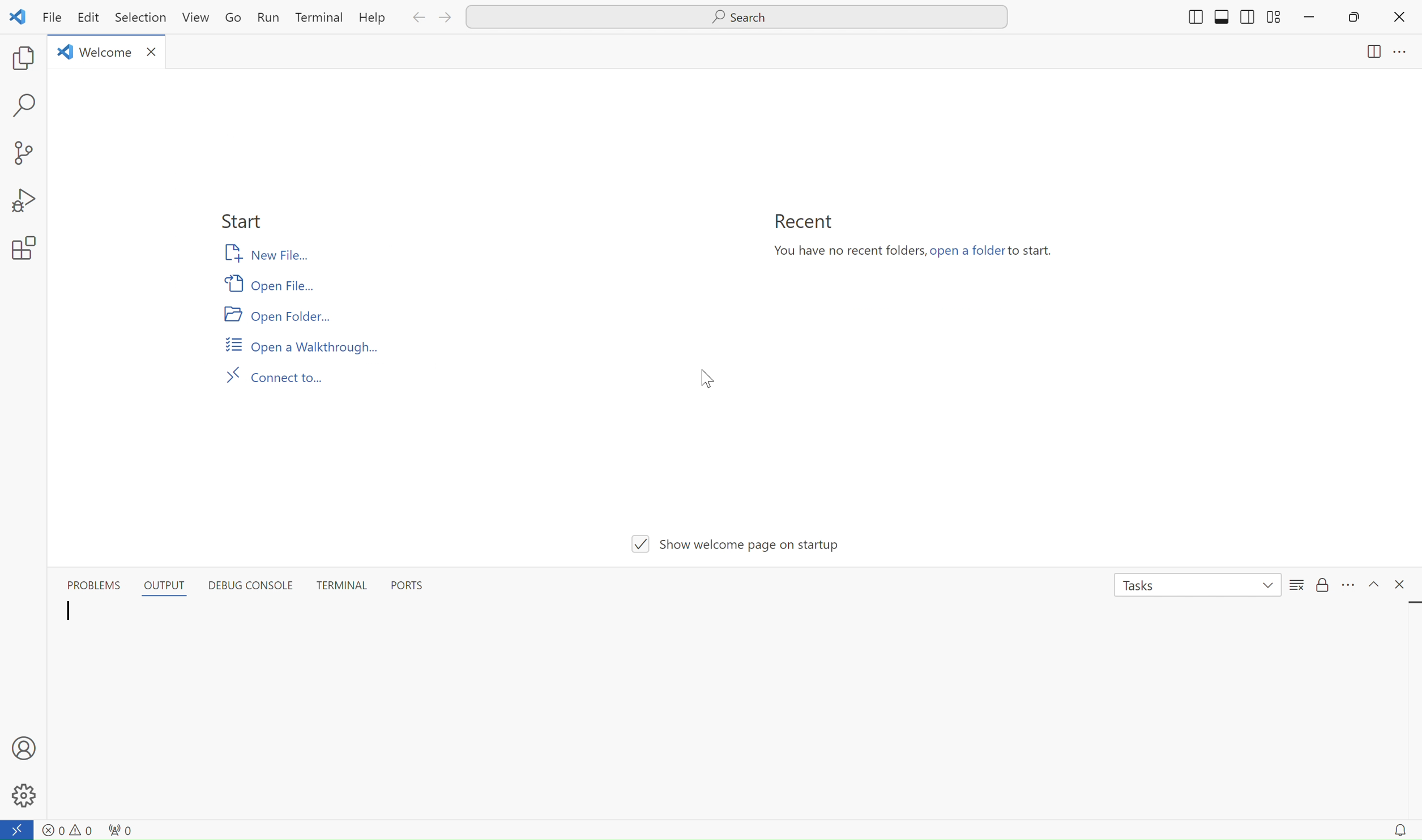  I want to click on Selection, so click(143, 20).